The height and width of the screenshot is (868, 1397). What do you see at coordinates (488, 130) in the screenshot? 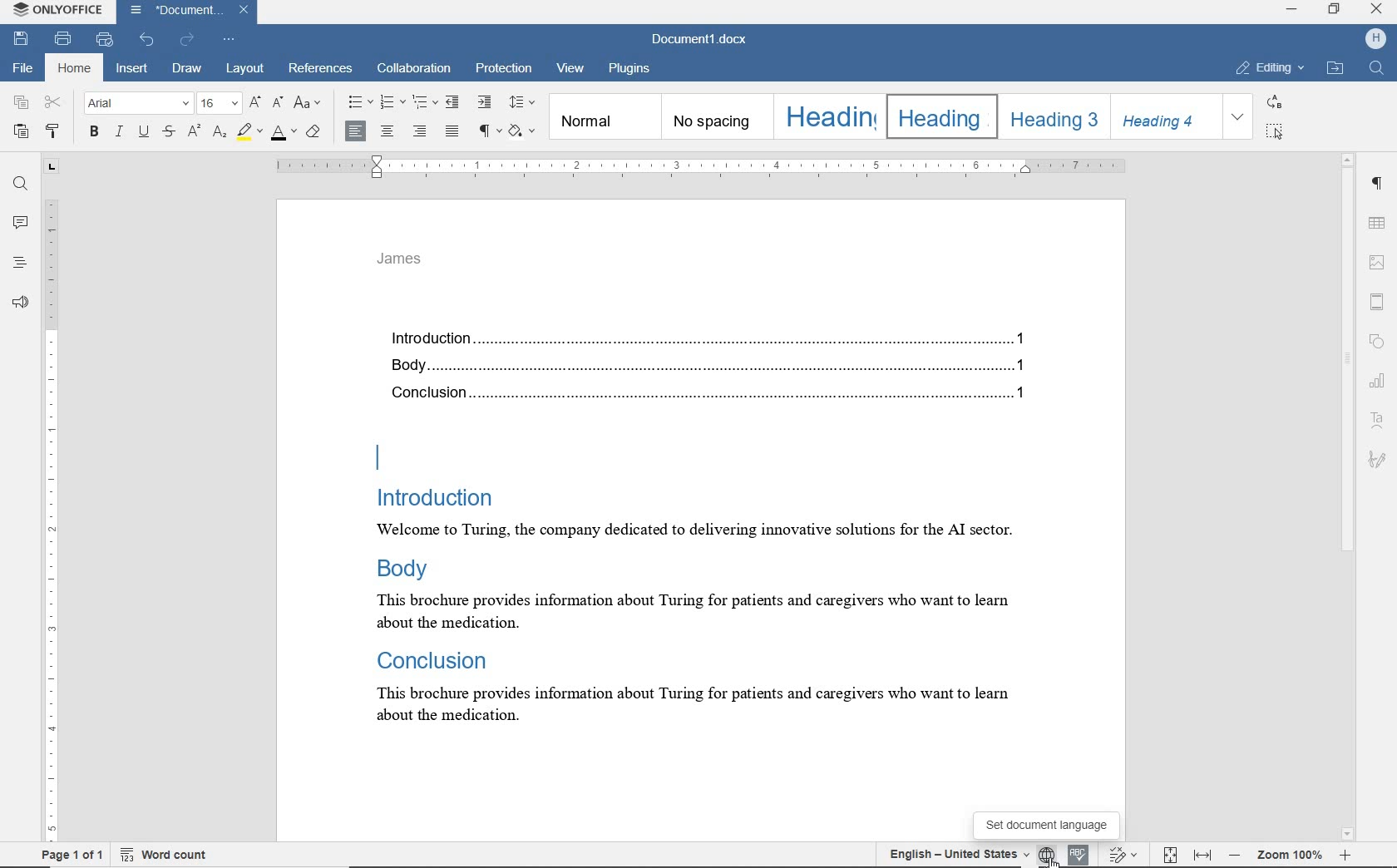
I see `nonprinting characters` at bounding box center [488, 130].